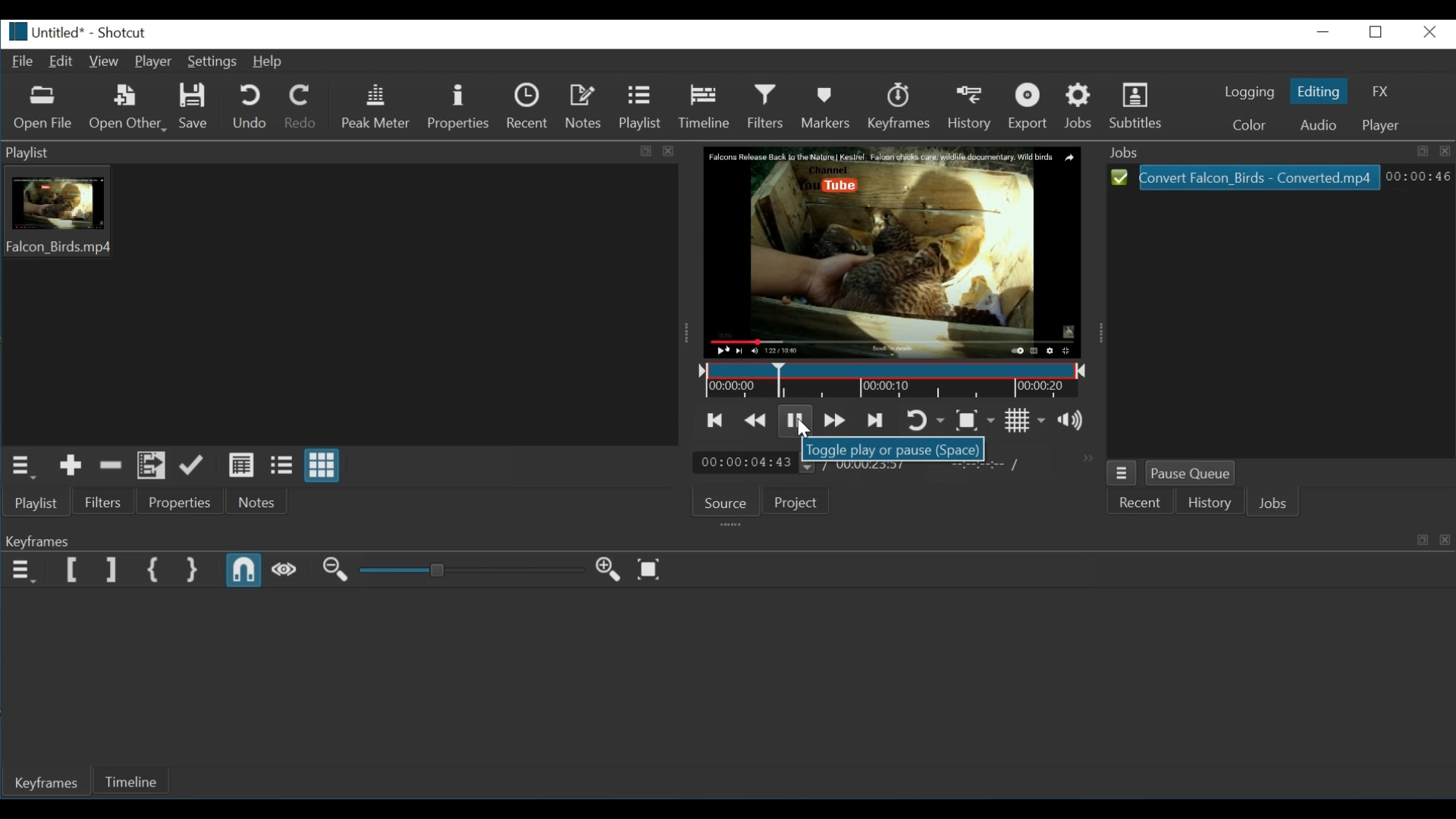 This screenshot has width=1456, height=819. What do you see at coordinates (898, 108) in the screenshot?
I see `Keyframes` at bounding box center [898, 108].